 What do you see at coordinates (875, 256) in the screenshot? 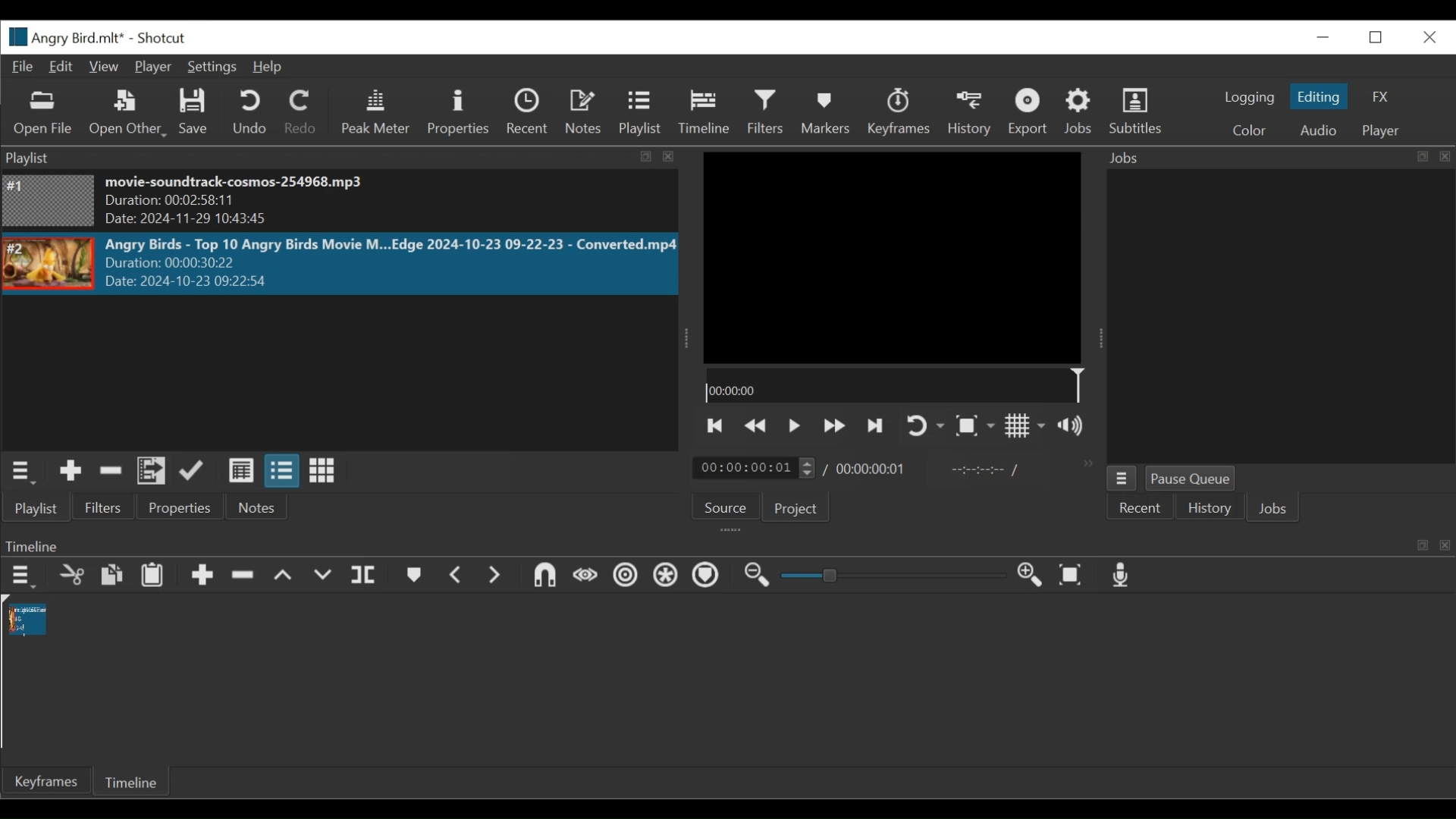
I see `Media Viewer` at bounding box center [875, 256].